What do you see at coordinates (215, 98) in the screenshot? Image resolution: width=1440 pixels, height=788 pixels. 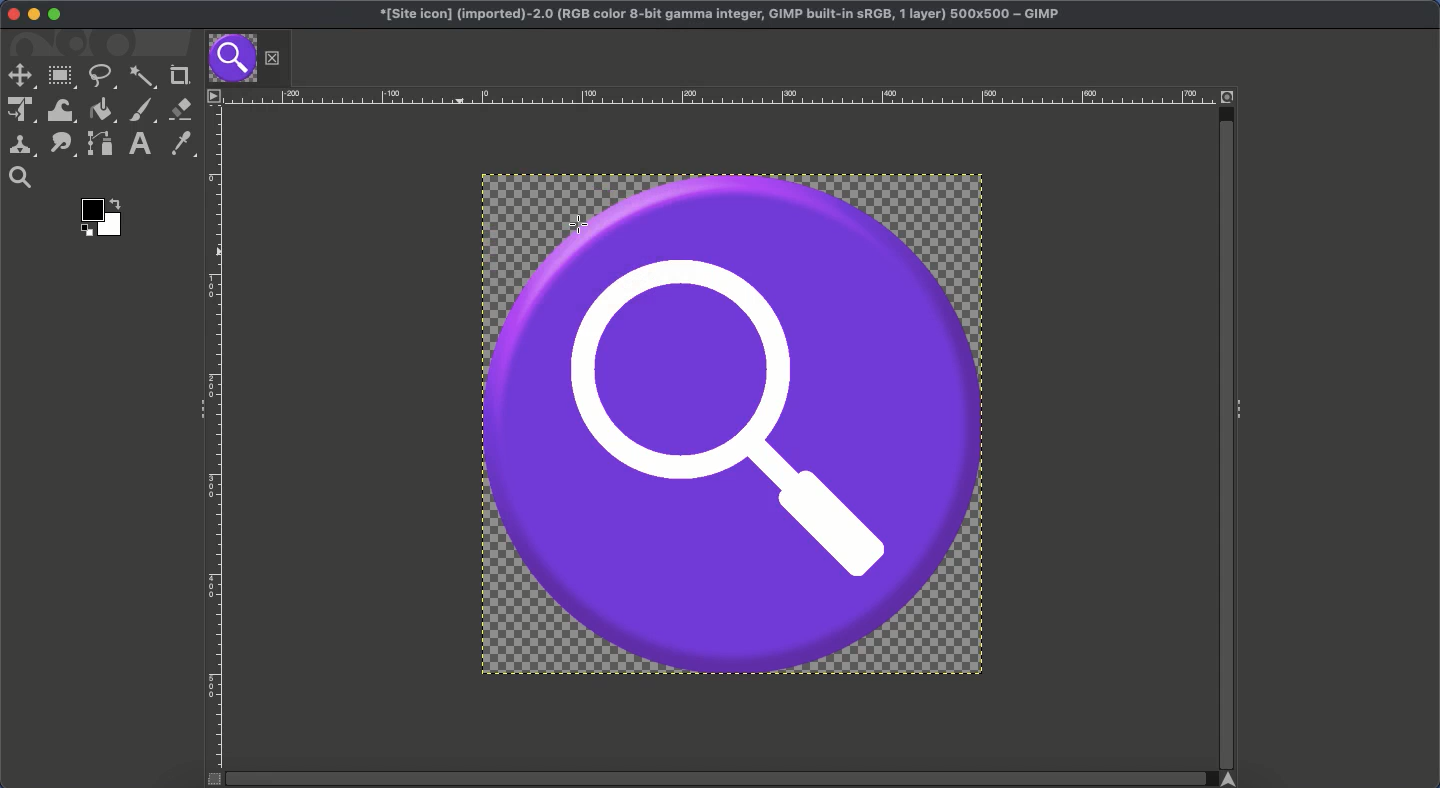 I see `Menu` at bounding box center [215, 98].